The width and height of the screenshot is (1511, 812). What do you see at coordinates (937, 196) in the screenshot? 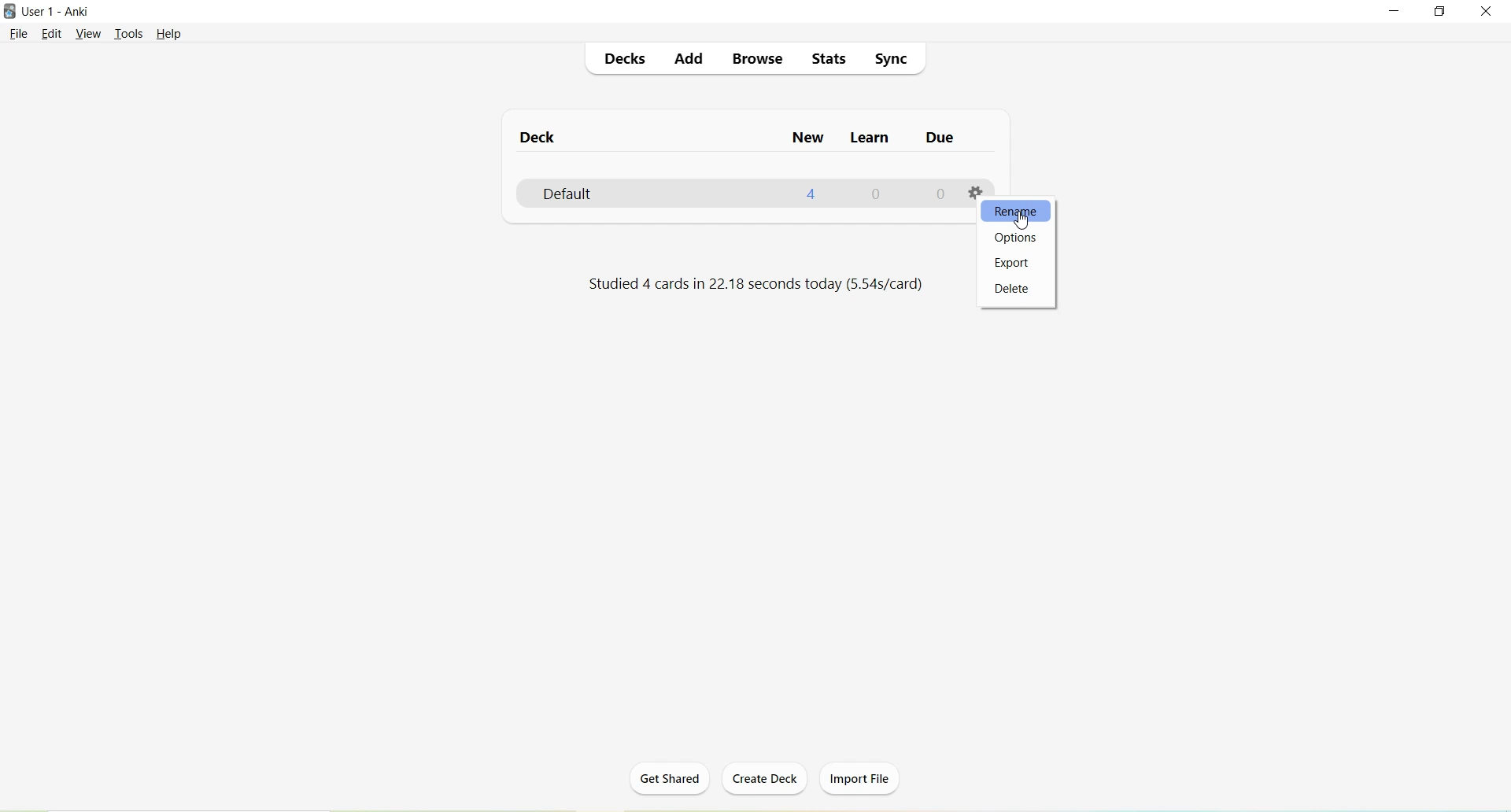
I see `0` at bounding box center [937, 196].